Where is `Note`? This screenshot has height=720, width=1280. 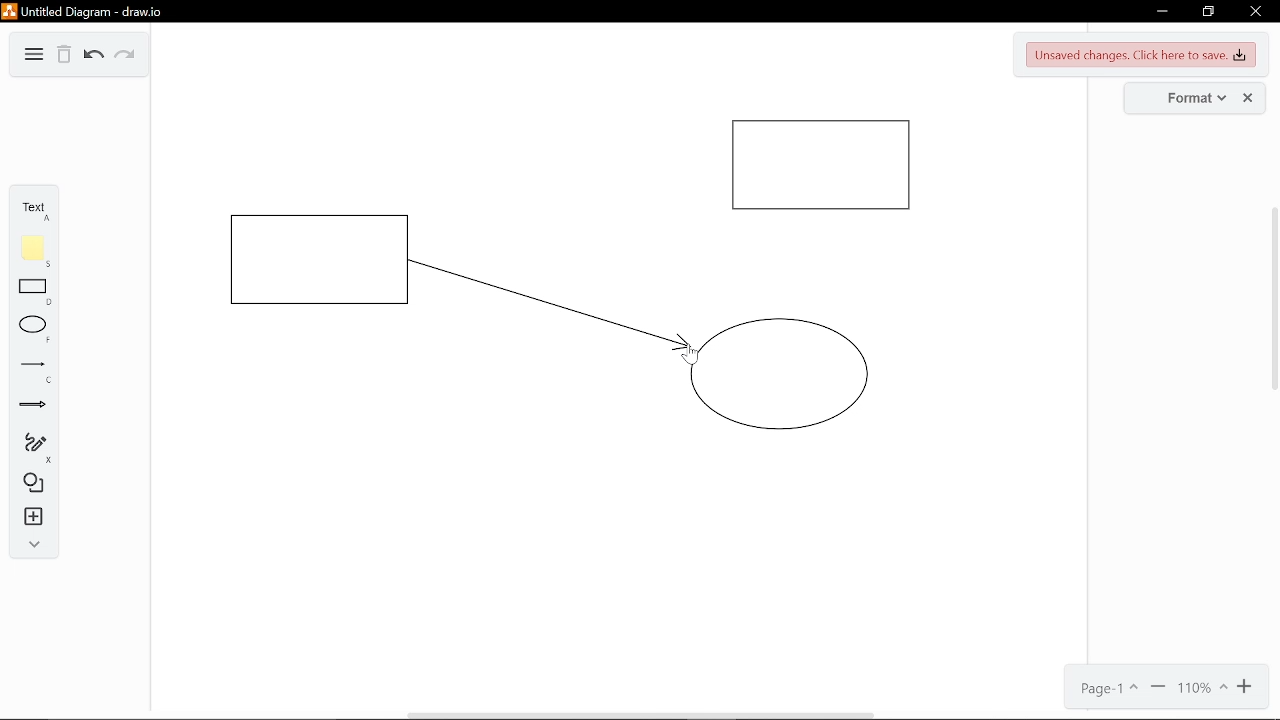
Note is located at coordinates (34, 251).